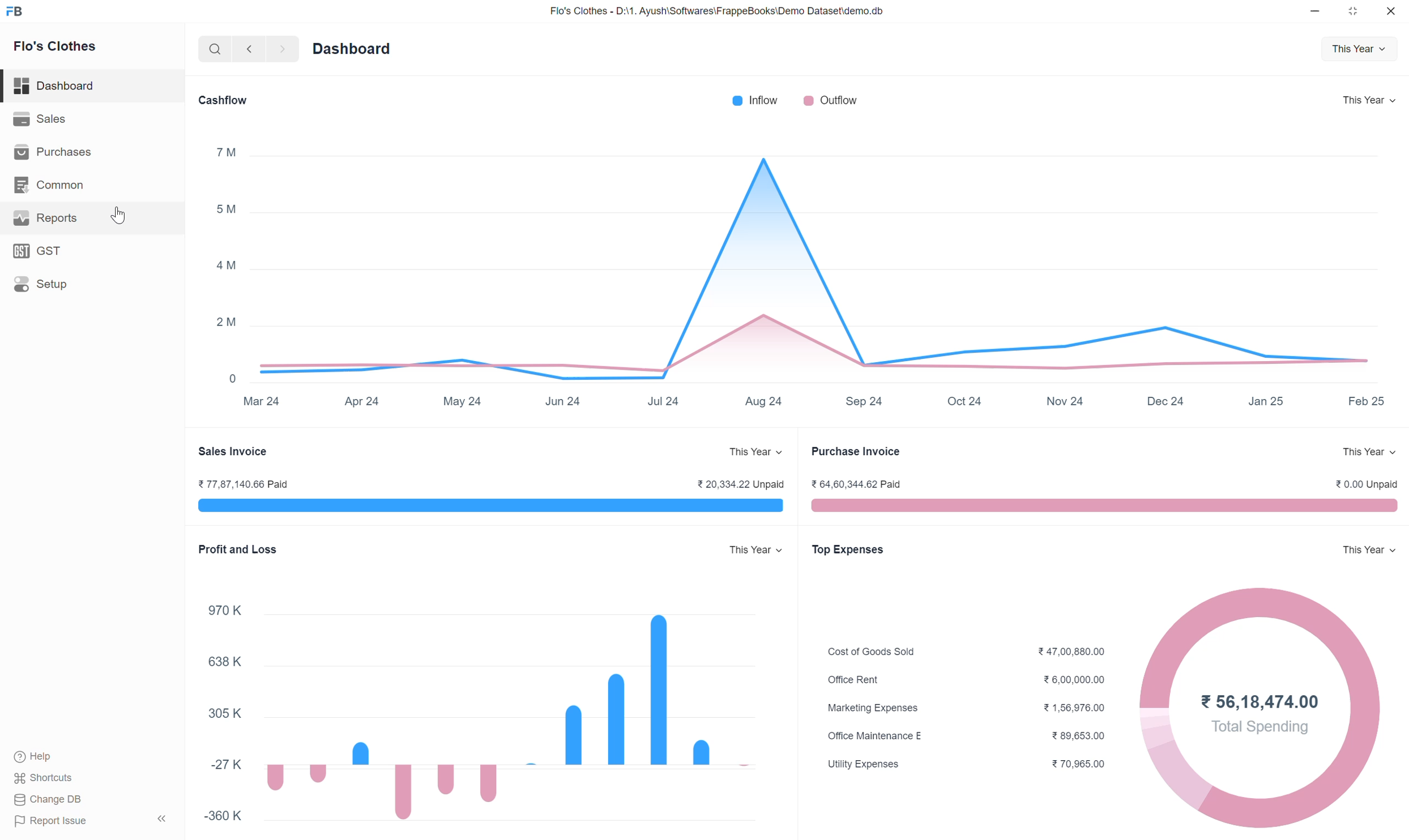 The width and height of the screenshot is (1409, 840). What do you see at coordinates (1068, 401) in the screenshot?
I see `nov 24` at bounding box center [1068, 401].